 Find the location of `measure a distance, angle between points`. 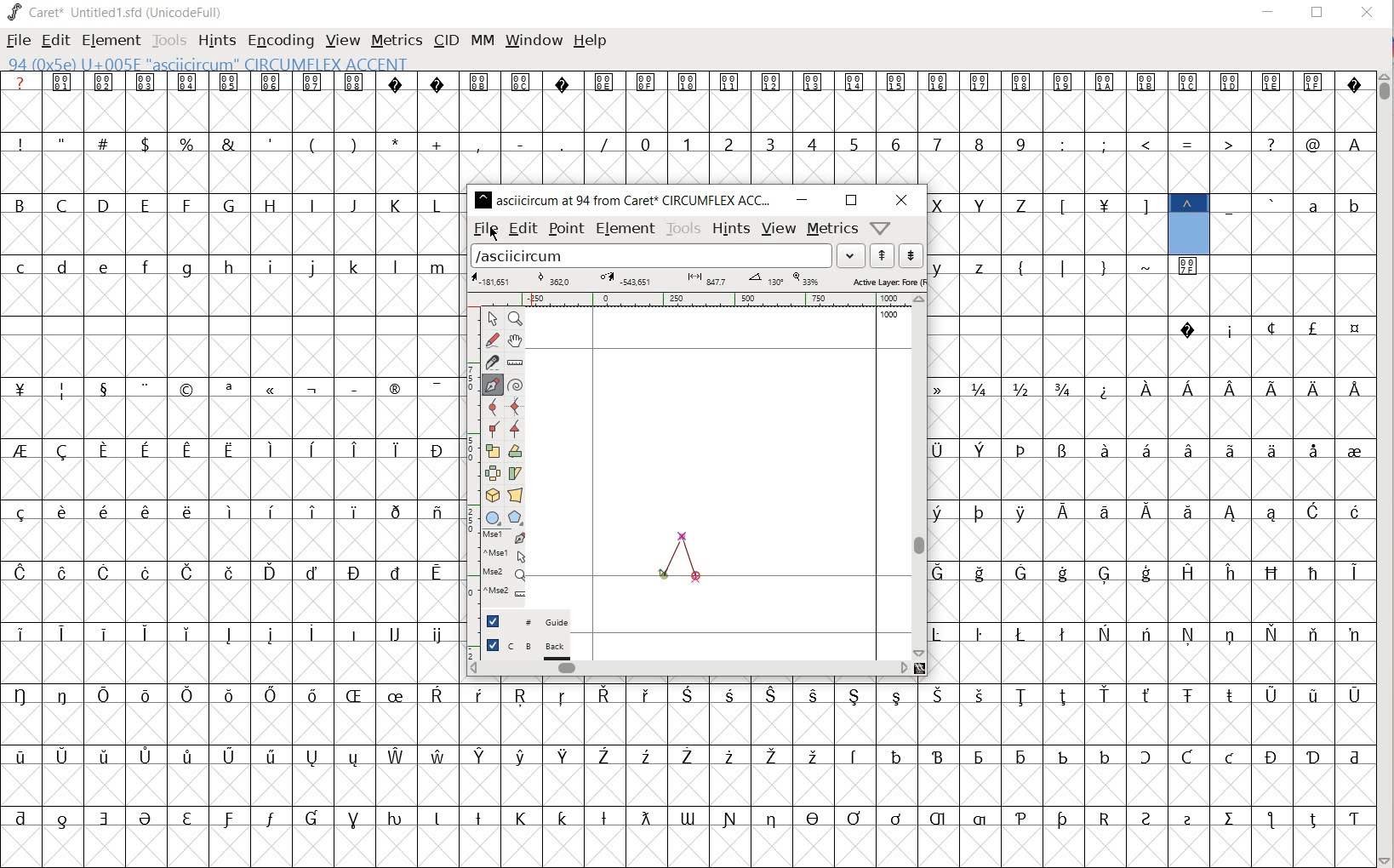

measure a distance, angle between points is located at coordinates (517, 362).